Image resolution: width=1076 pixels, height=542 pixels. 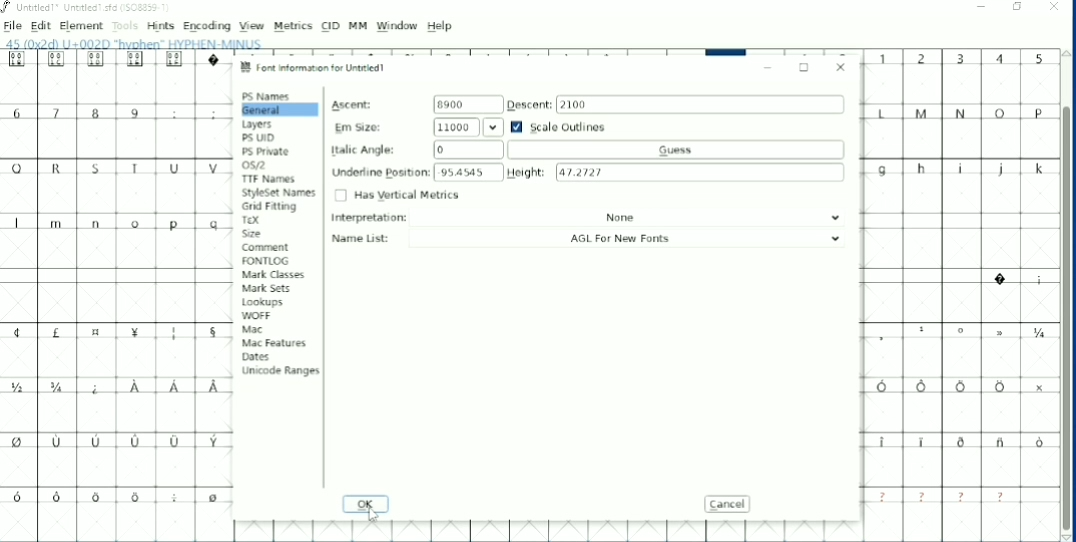 I want to click on Interpretation, so click(x=590, y=218).